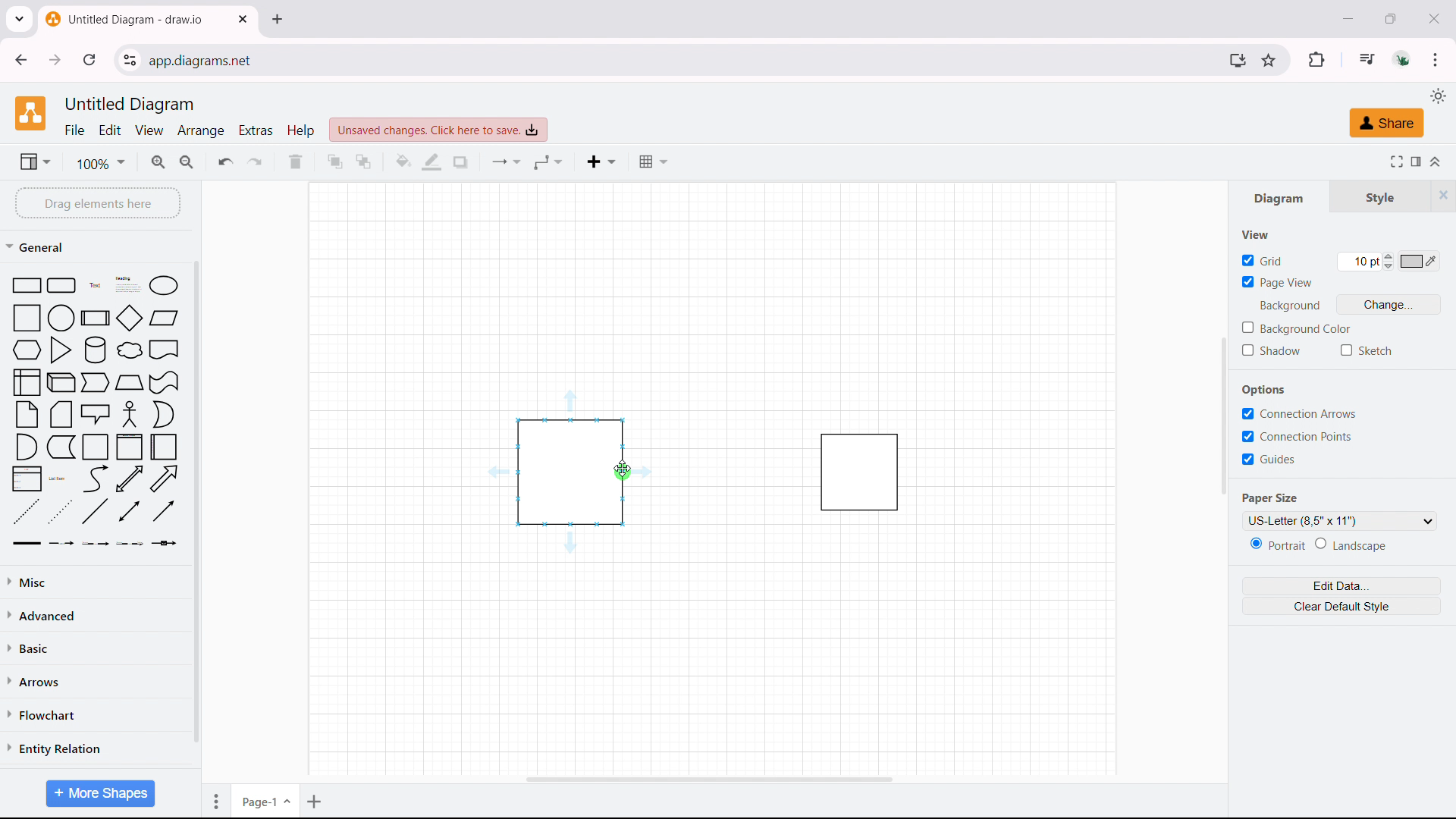 The image size is (1456, 819). Describe the element at coordinates (96, 614) in the screenshot. I see `advanced` at that location.